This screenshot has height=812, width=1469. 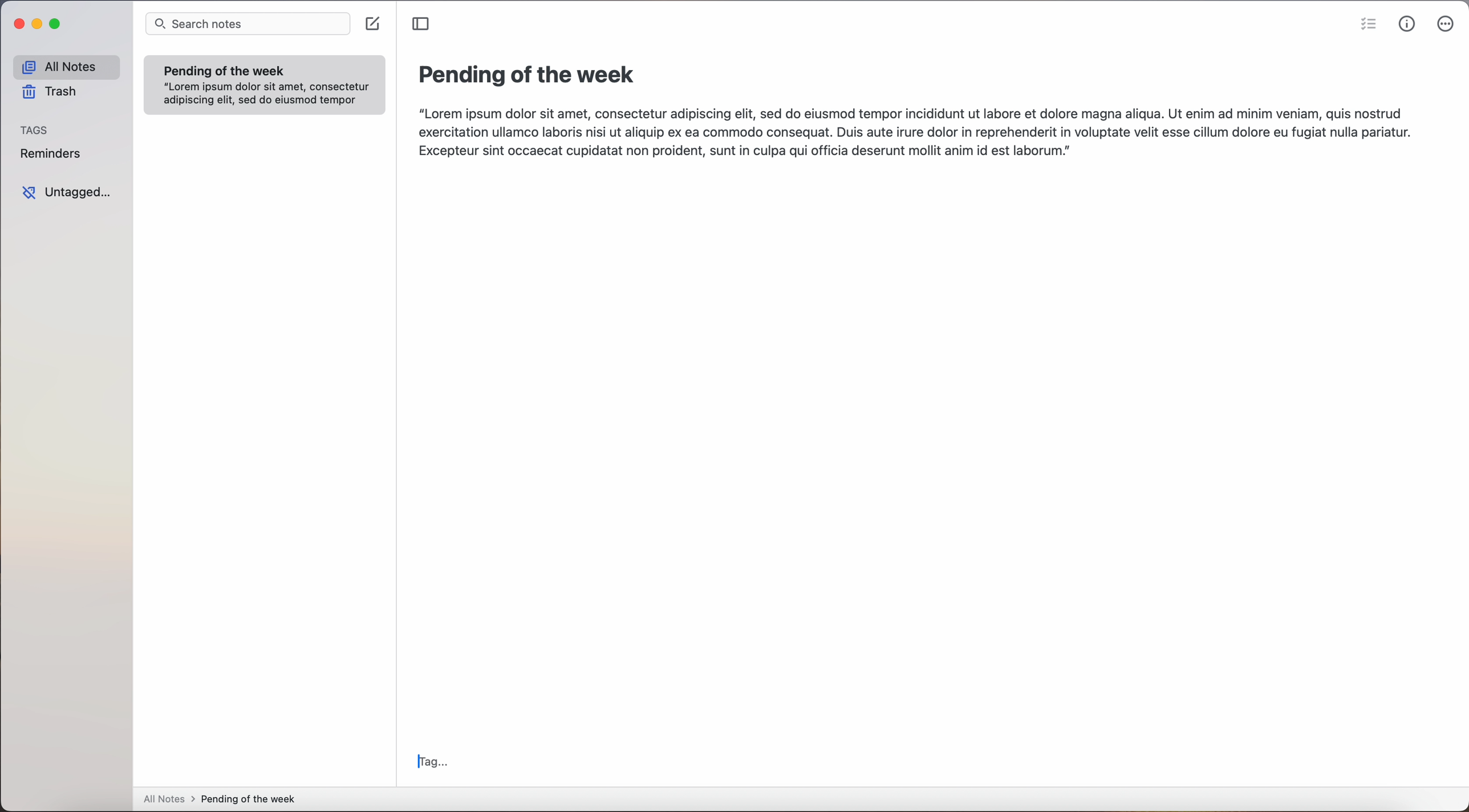 I want to click on check list, so click(x=1368, y=25).